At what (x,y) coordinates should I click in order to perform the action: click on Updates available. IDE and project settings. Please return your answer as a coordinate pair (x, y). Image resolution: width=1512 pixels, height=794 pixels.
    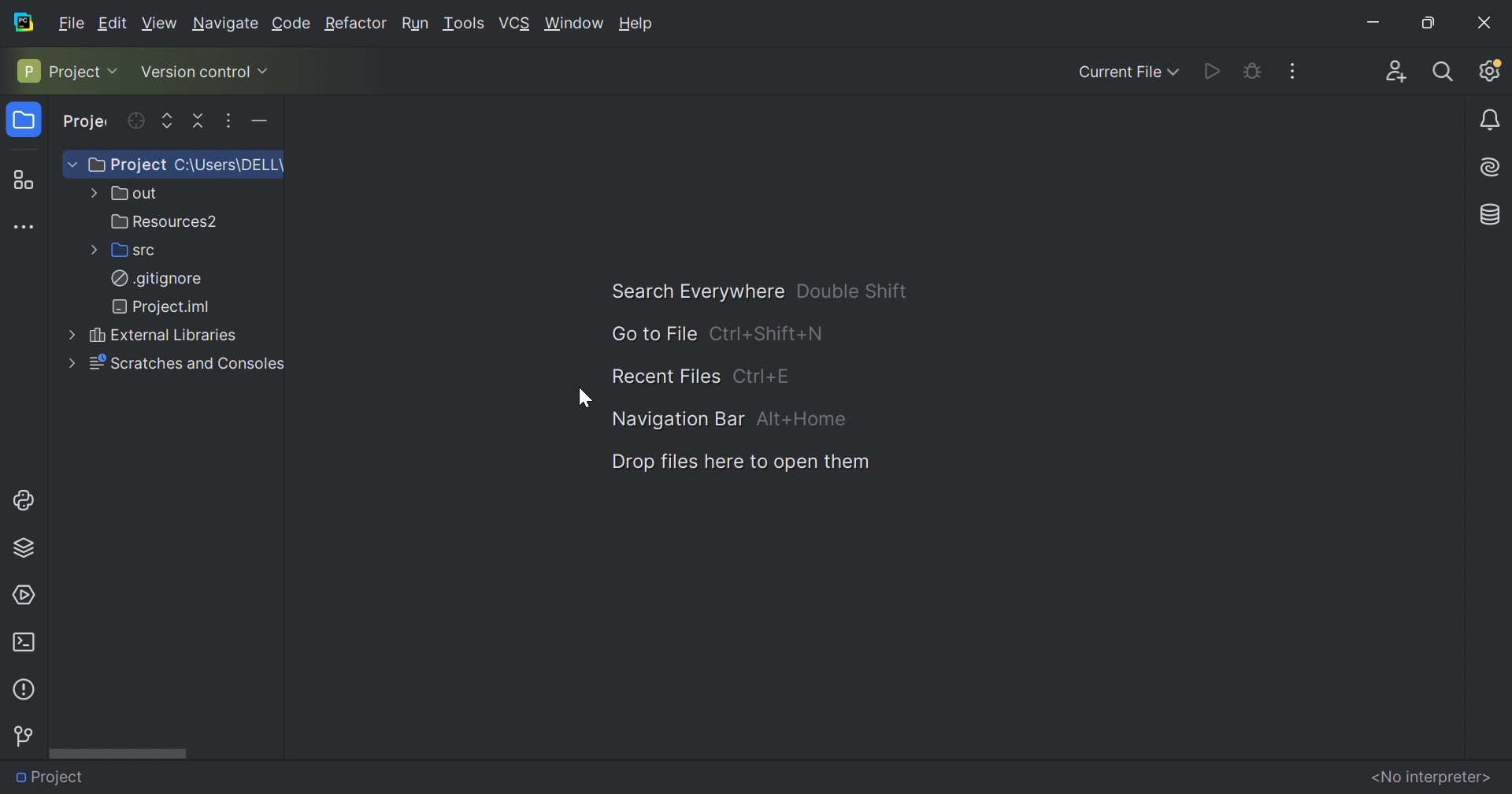
    Looking at the image, I should click on (1490, 70).